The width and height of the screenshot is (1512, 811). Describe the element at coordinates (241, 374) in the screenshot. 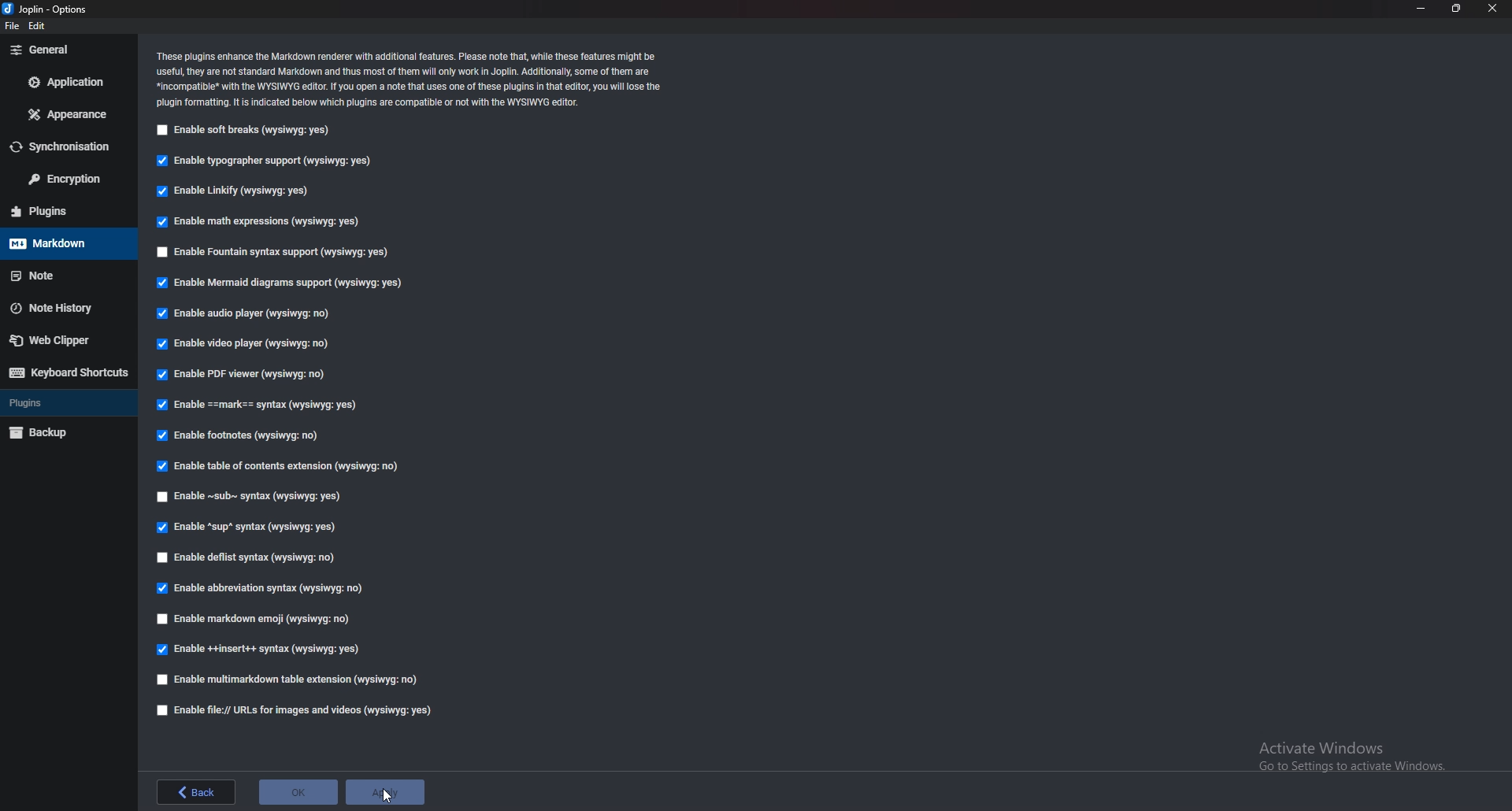

I see ` Enable pdf viewer` at that location.